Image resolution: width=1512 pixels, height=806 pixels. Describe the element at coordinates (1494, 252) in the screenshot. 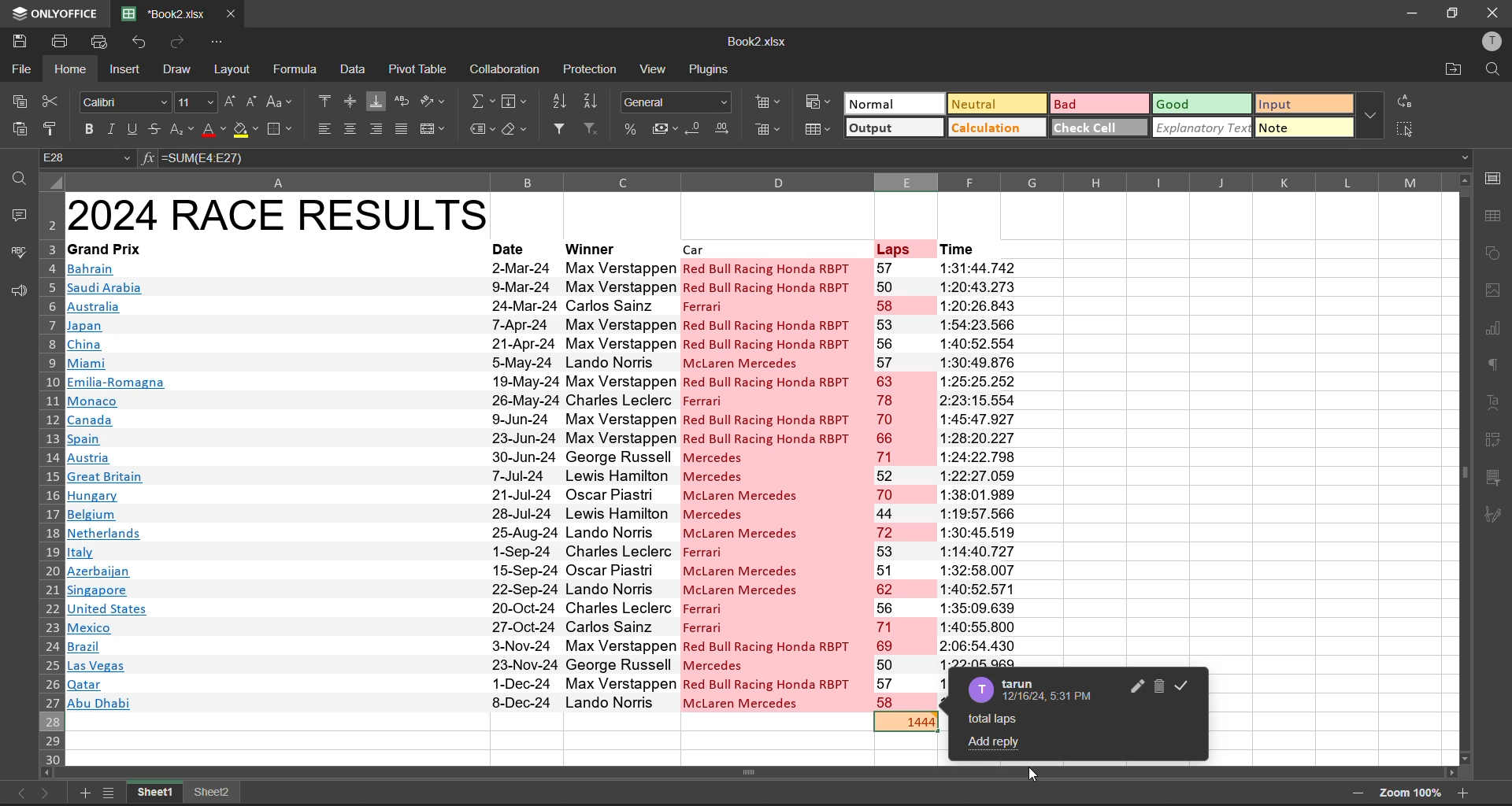

I see `shapes` at that location.